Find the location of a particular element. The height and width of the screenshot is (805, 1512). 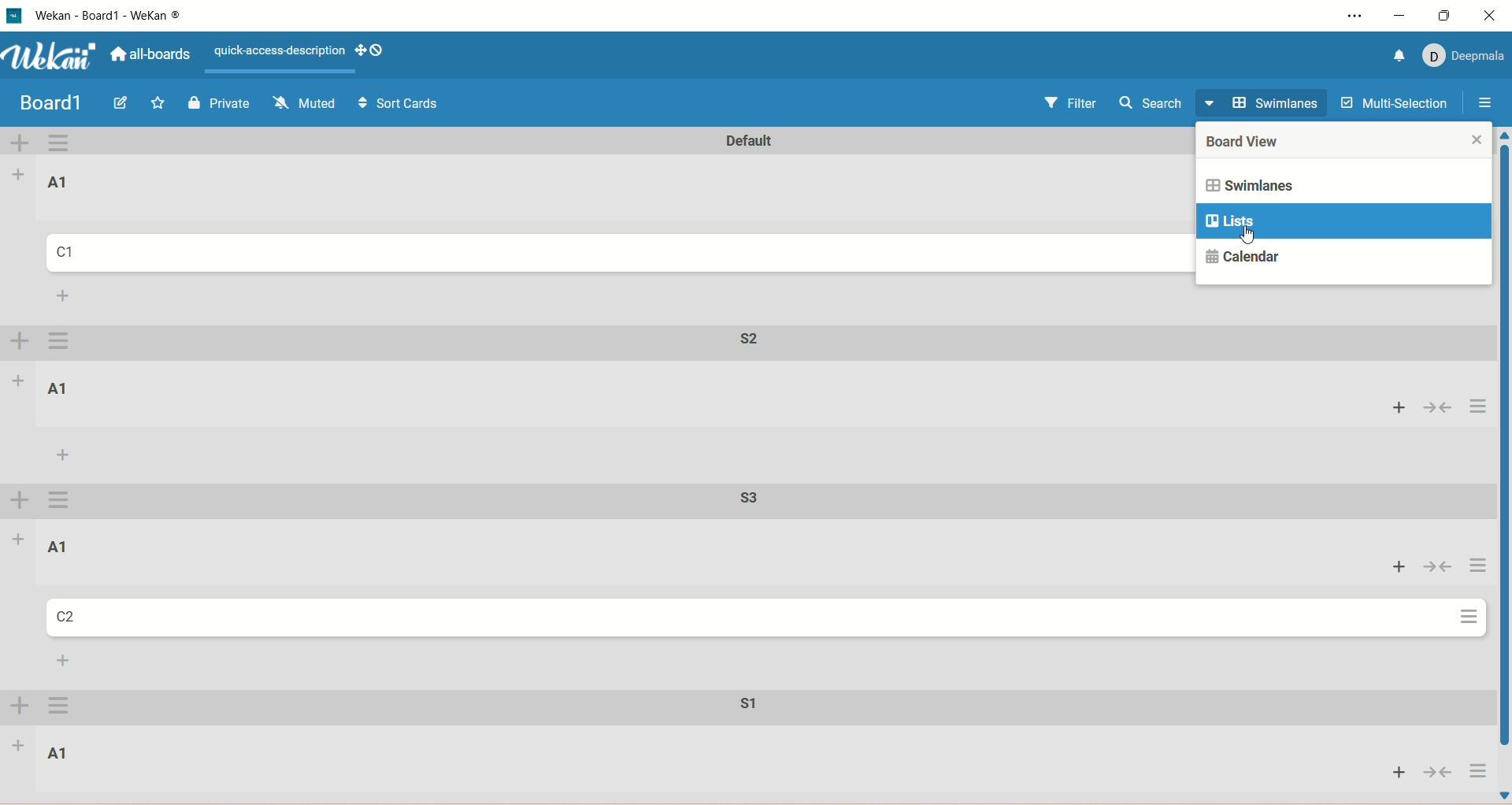

title is located at coordinates (46, 106).